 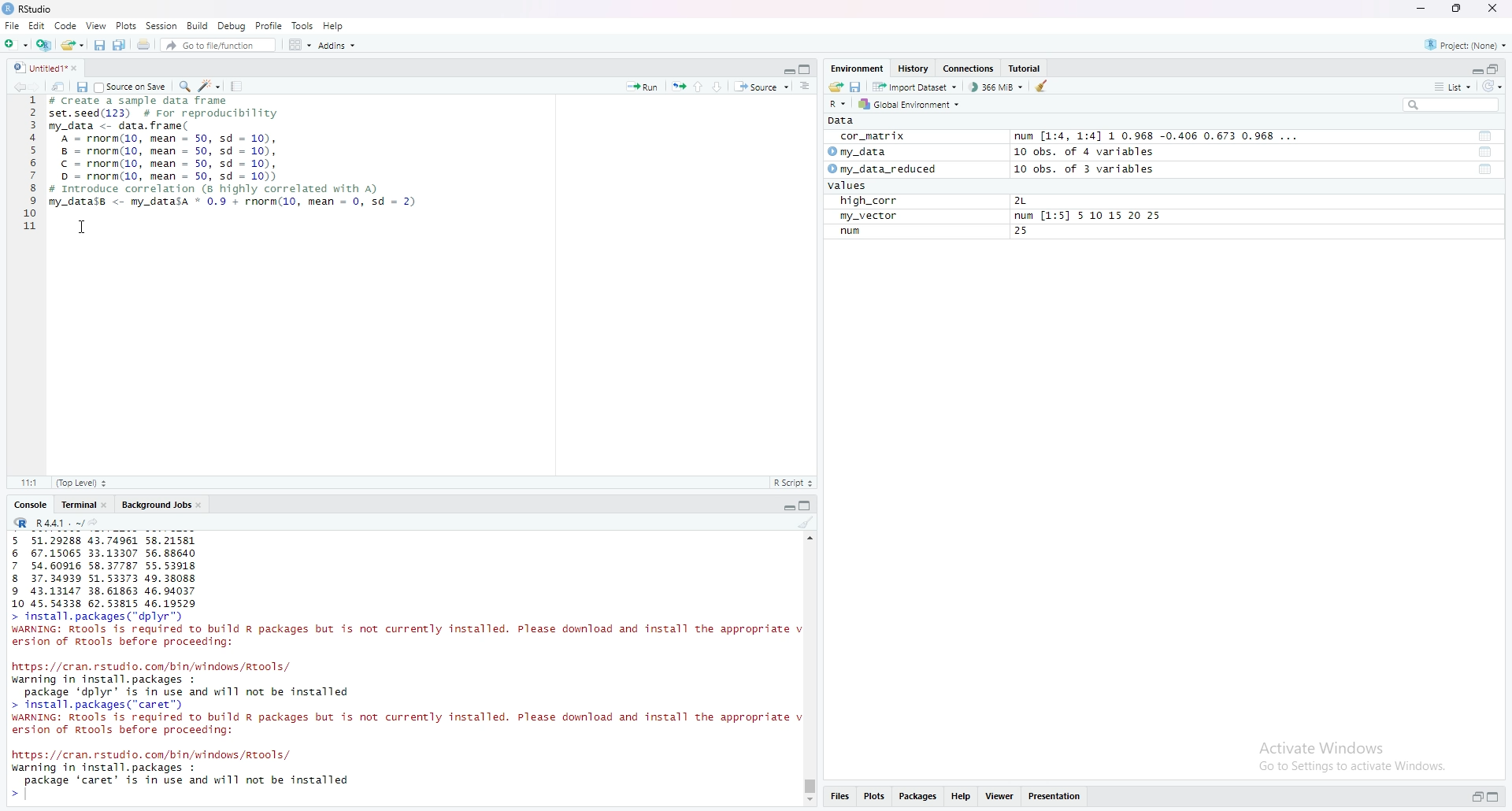 I want to click on 11:1, so click(x=31, y=483).